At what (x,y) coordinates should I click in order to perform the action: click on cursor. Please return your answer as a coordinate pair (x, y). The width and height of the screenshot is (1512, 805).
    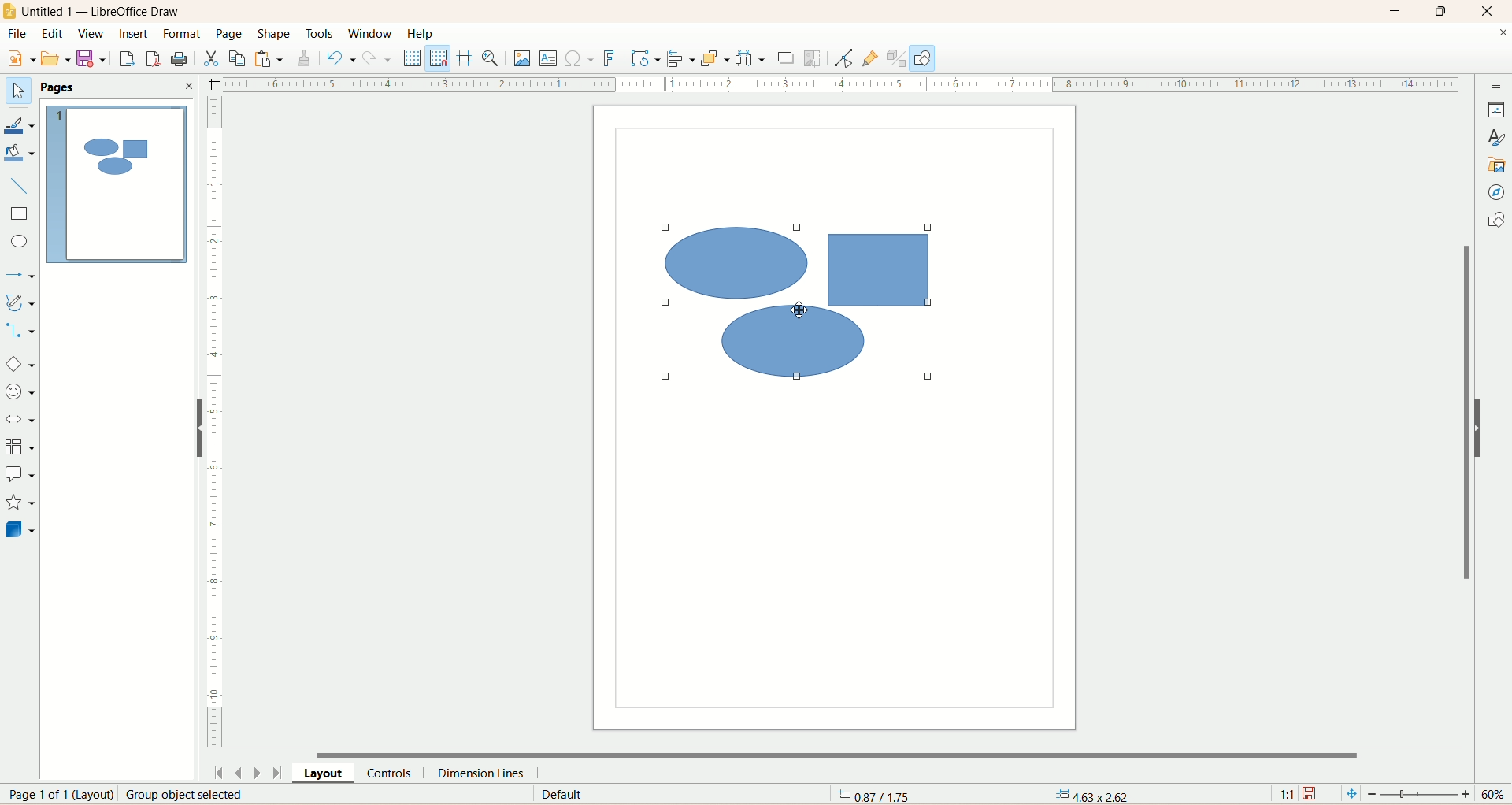
    Looking at the image, I should click on (797, 309).